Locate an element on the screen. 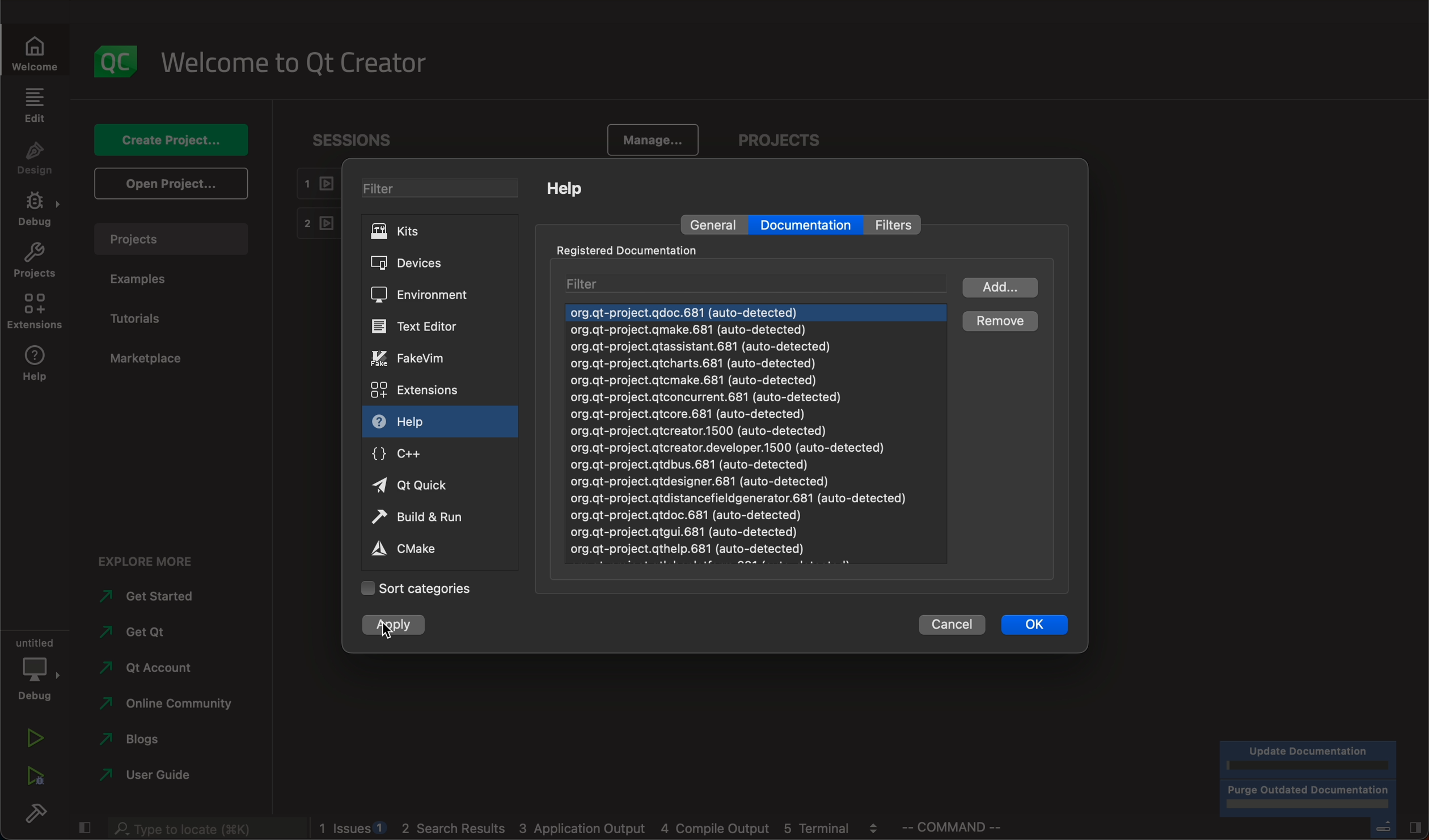 The image size is (1429, 840). progress bar is located at coordinates (1297, 784).